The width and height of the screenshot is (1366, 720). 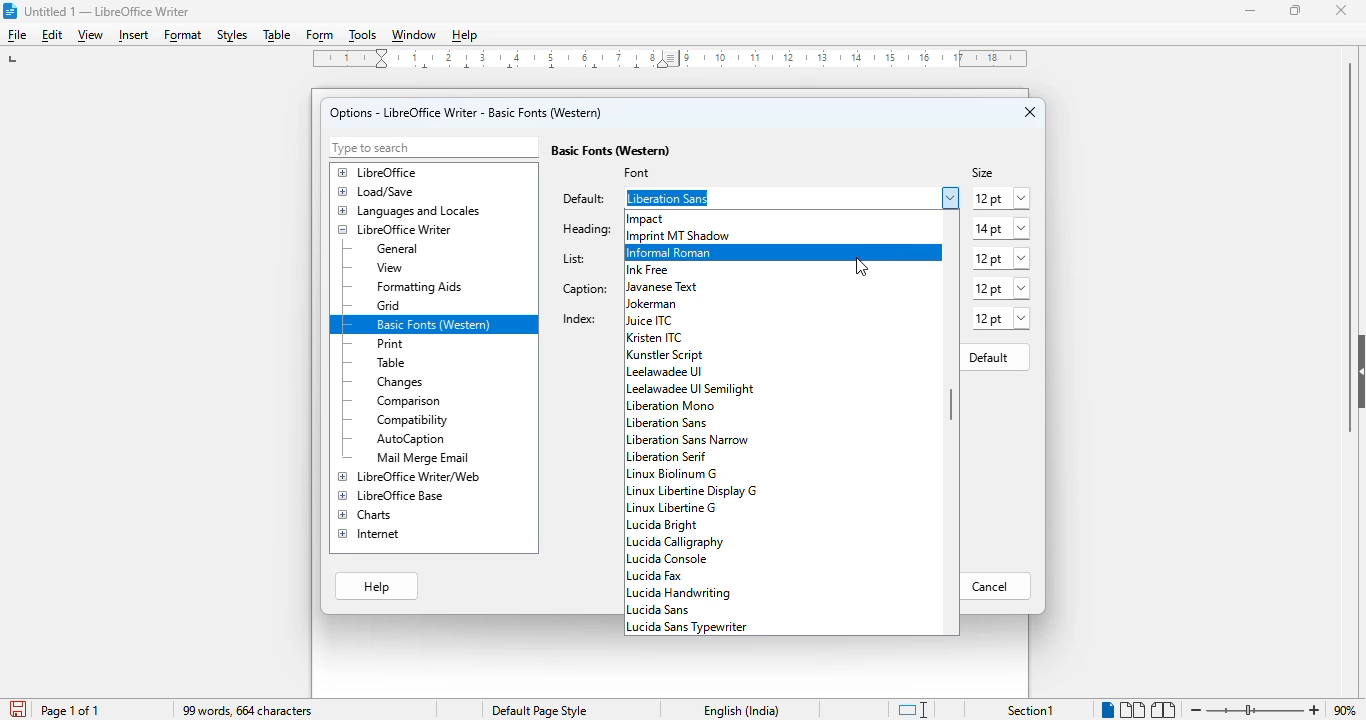 I want to click on informal roman, so click(x=784, y=252).